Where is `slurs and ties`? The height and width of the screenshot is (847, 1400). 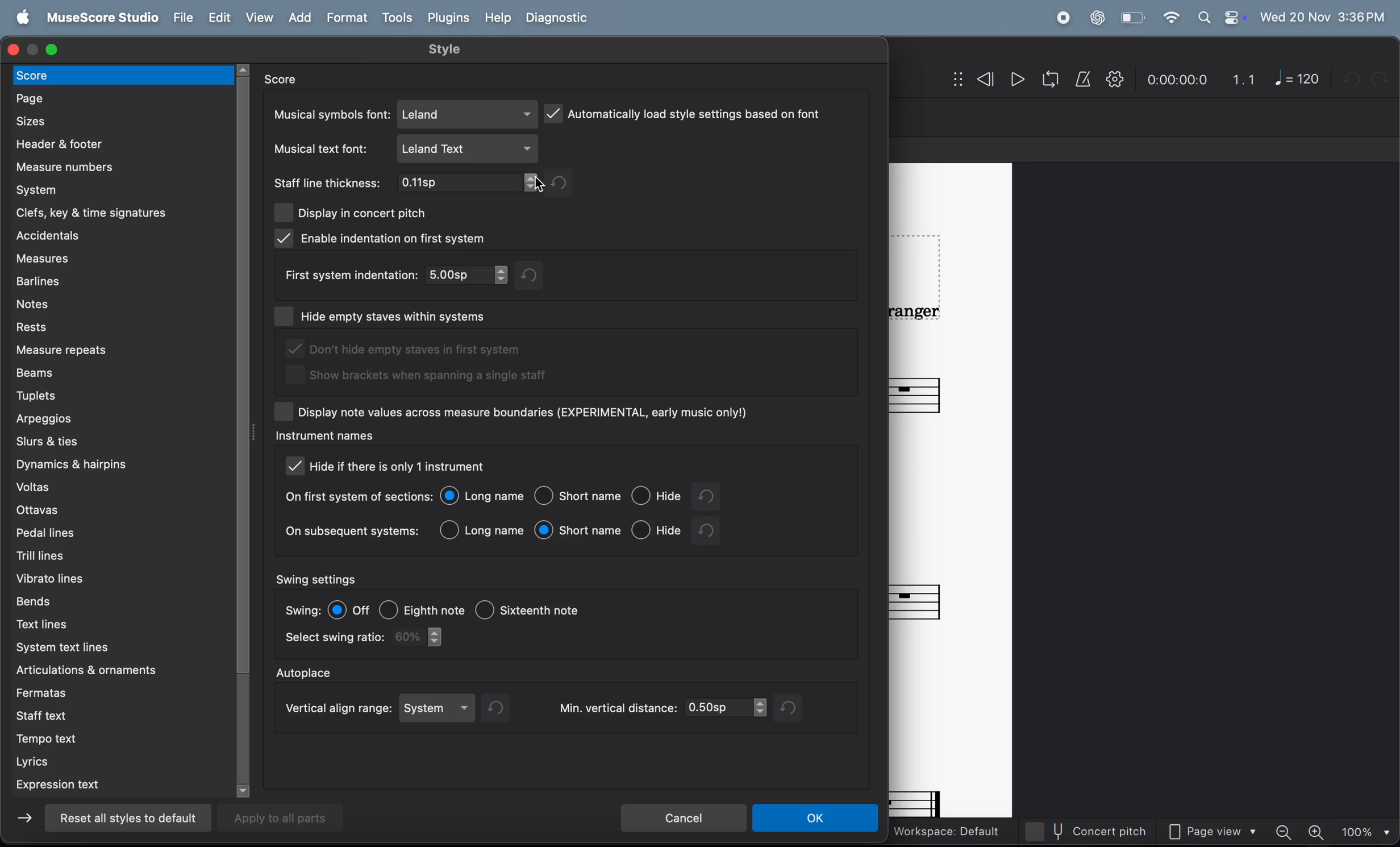
slurs and ties is located at coordinates (116, 442).